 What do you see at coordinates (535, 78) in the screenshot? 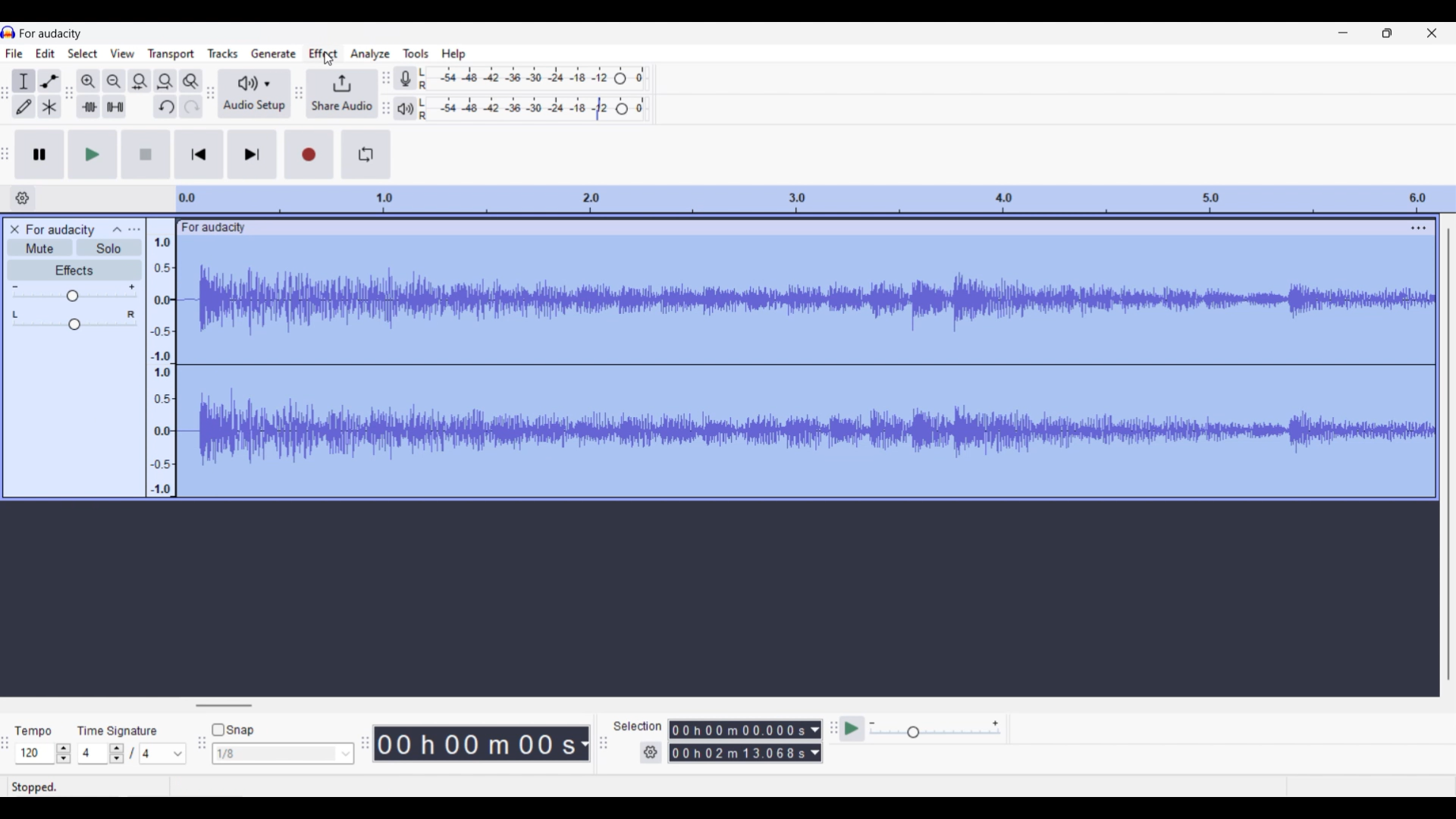
I see `Recording level` at bounding box center [535, 78].